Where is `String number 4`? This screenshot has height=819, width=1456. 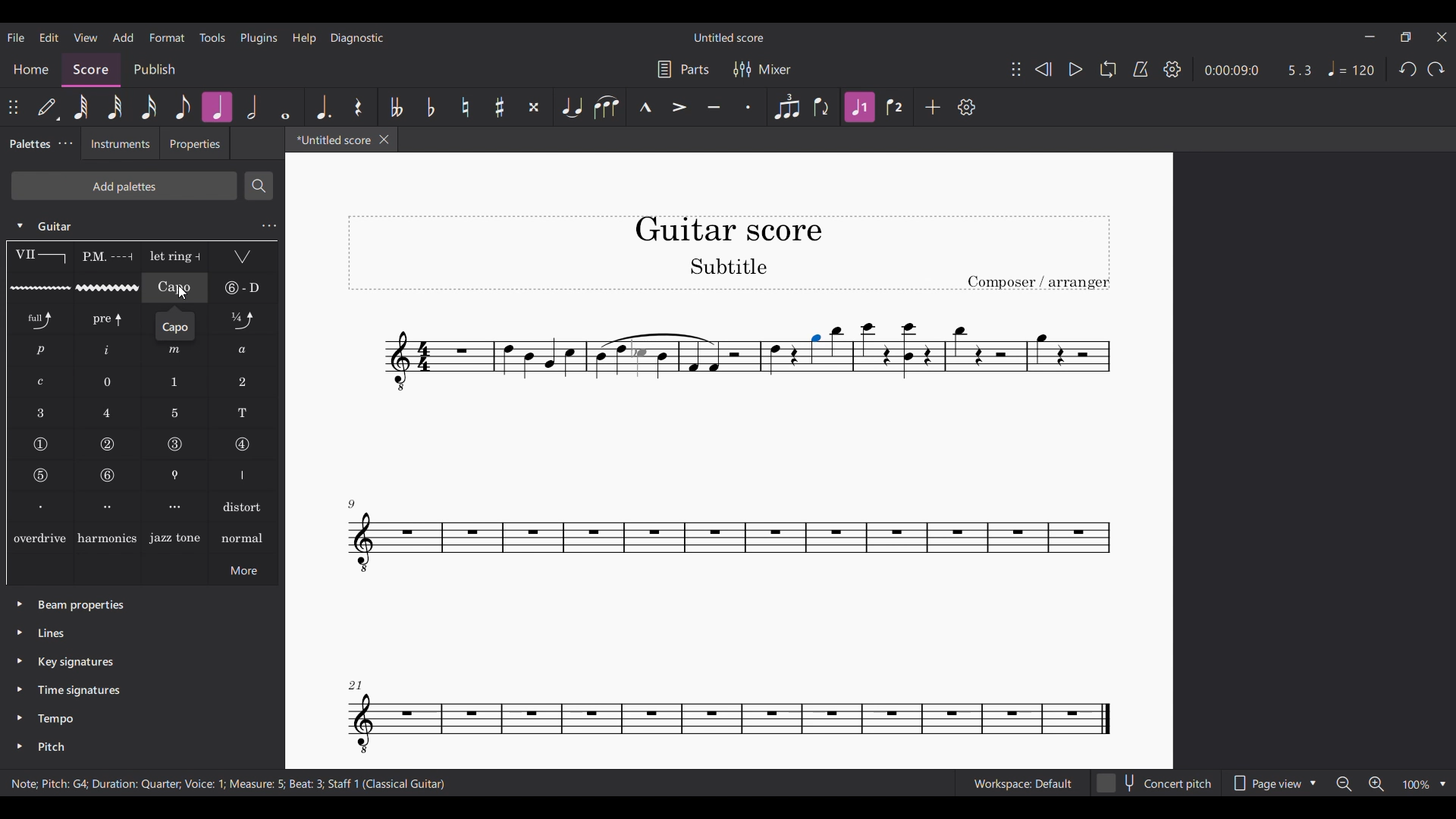
String number 4 is located at coordinates (242, 445).